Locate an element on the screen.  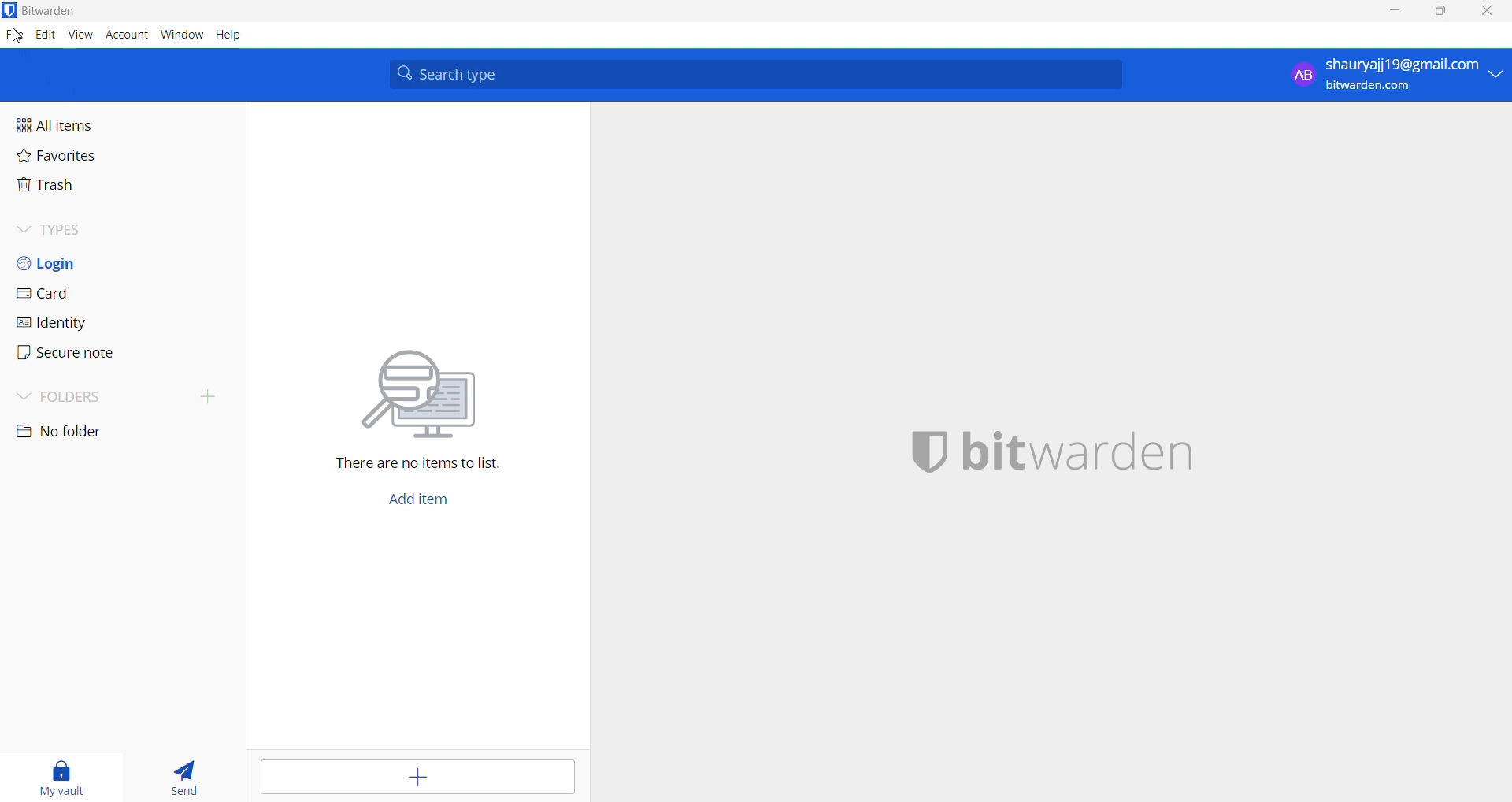
secure note is located at coordinates (124, 354).